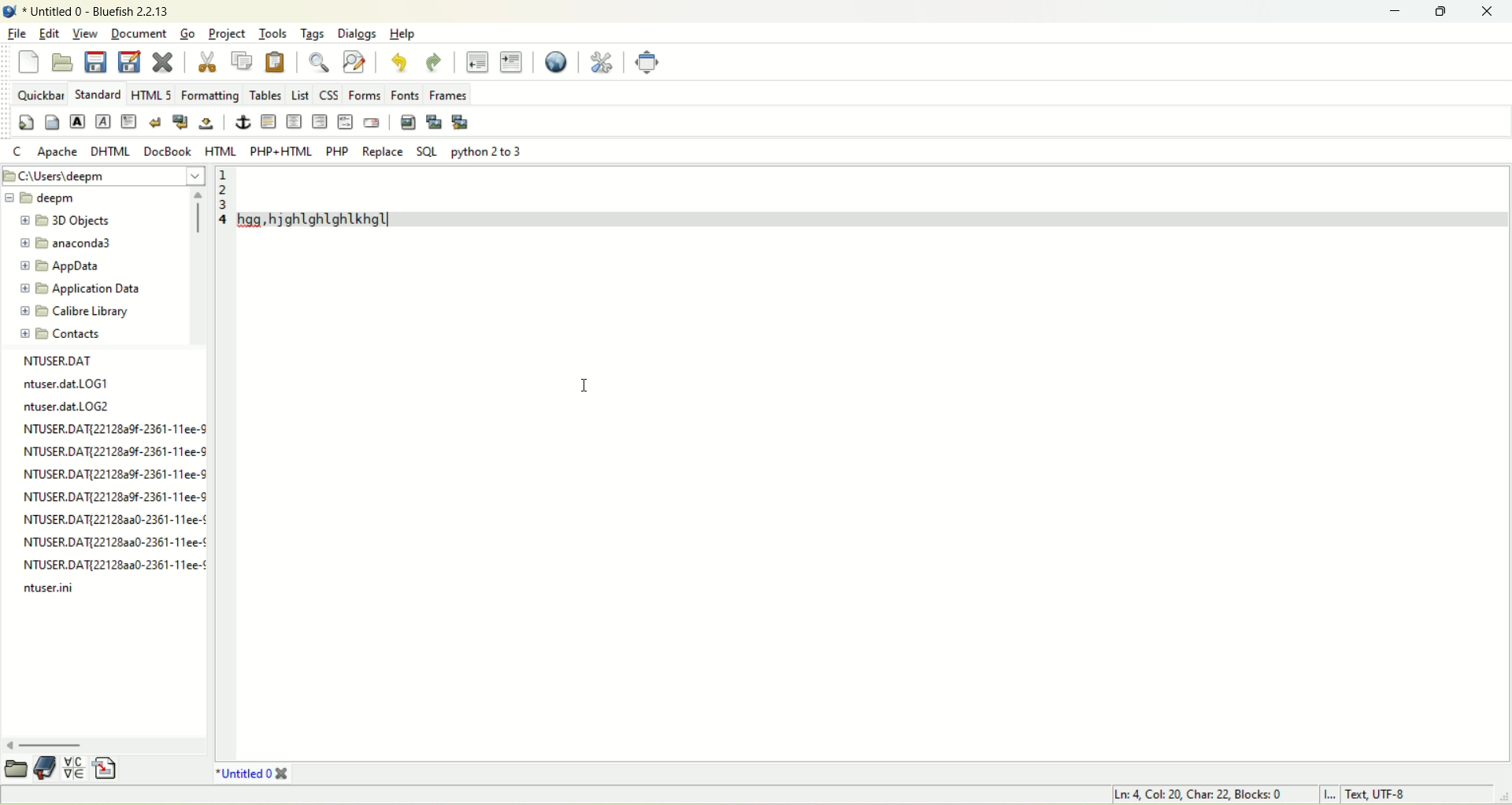 The width and height of the screenshot is (1512, 805). I want to click on cursor, so click(585, 379).